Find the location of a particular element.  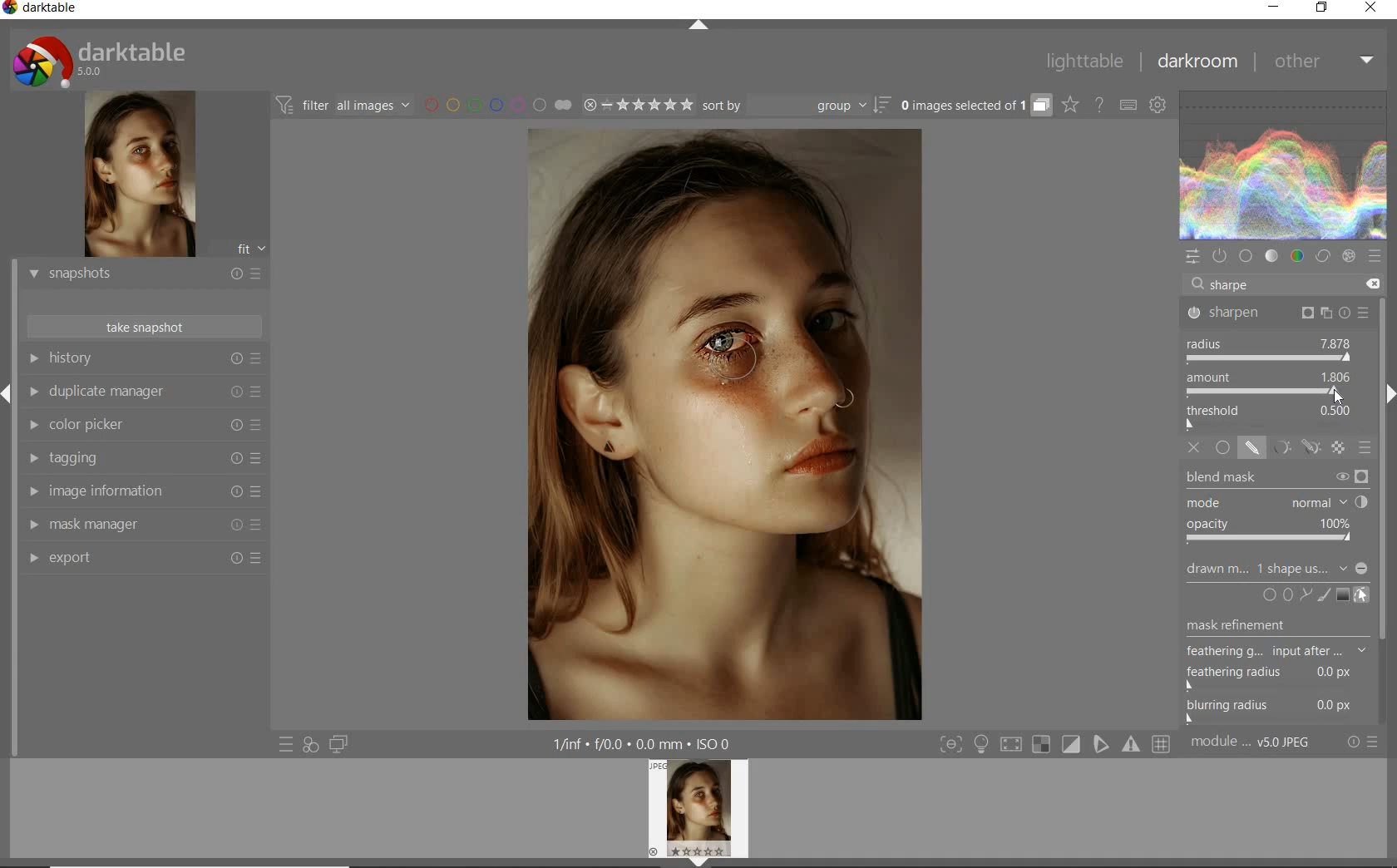

show global preferences is located at coordinates (1159, 106).